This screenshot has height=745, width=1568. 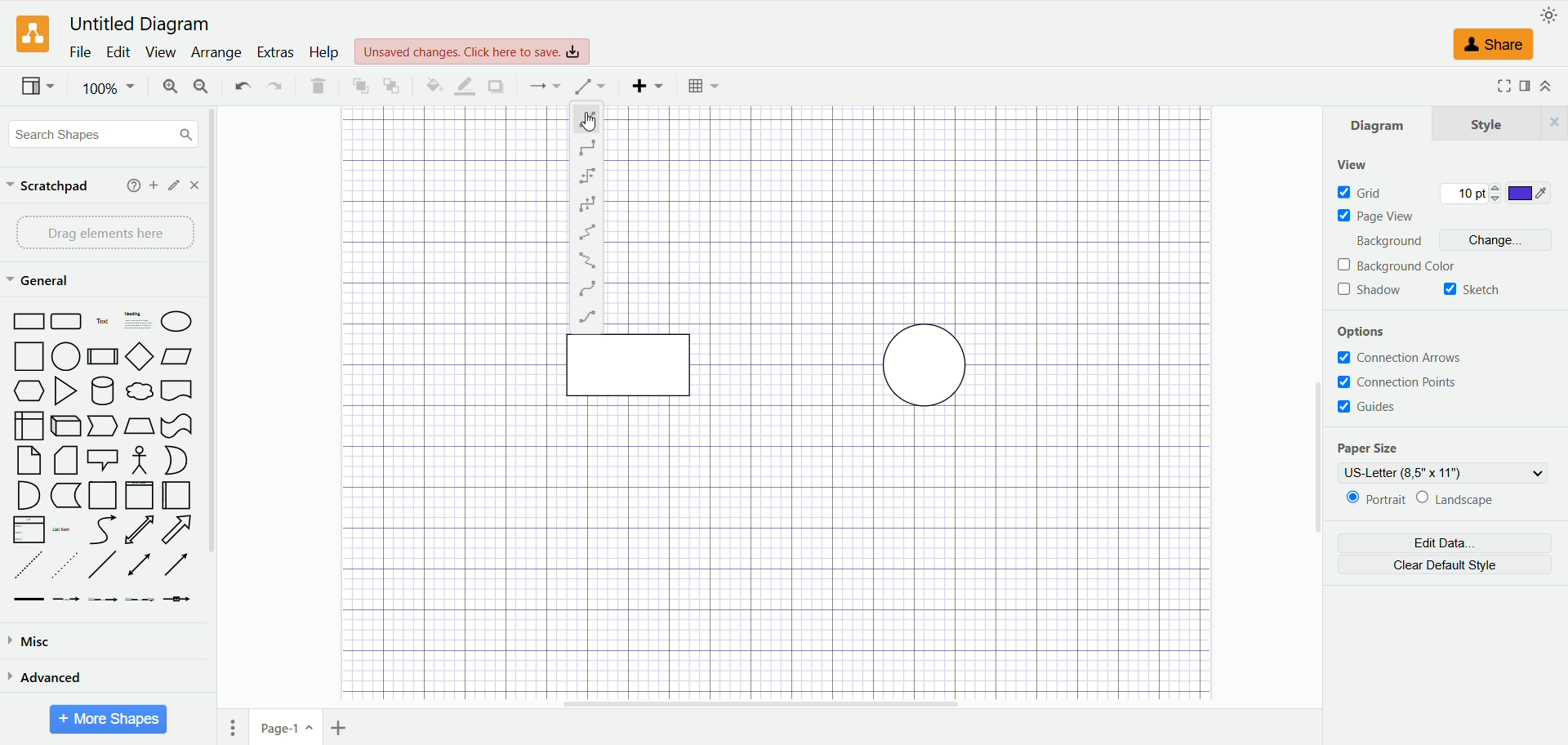 What do you see at coordinates (316, 84) in the screenshot?
I see `delete` at bounding box center [316, 84].